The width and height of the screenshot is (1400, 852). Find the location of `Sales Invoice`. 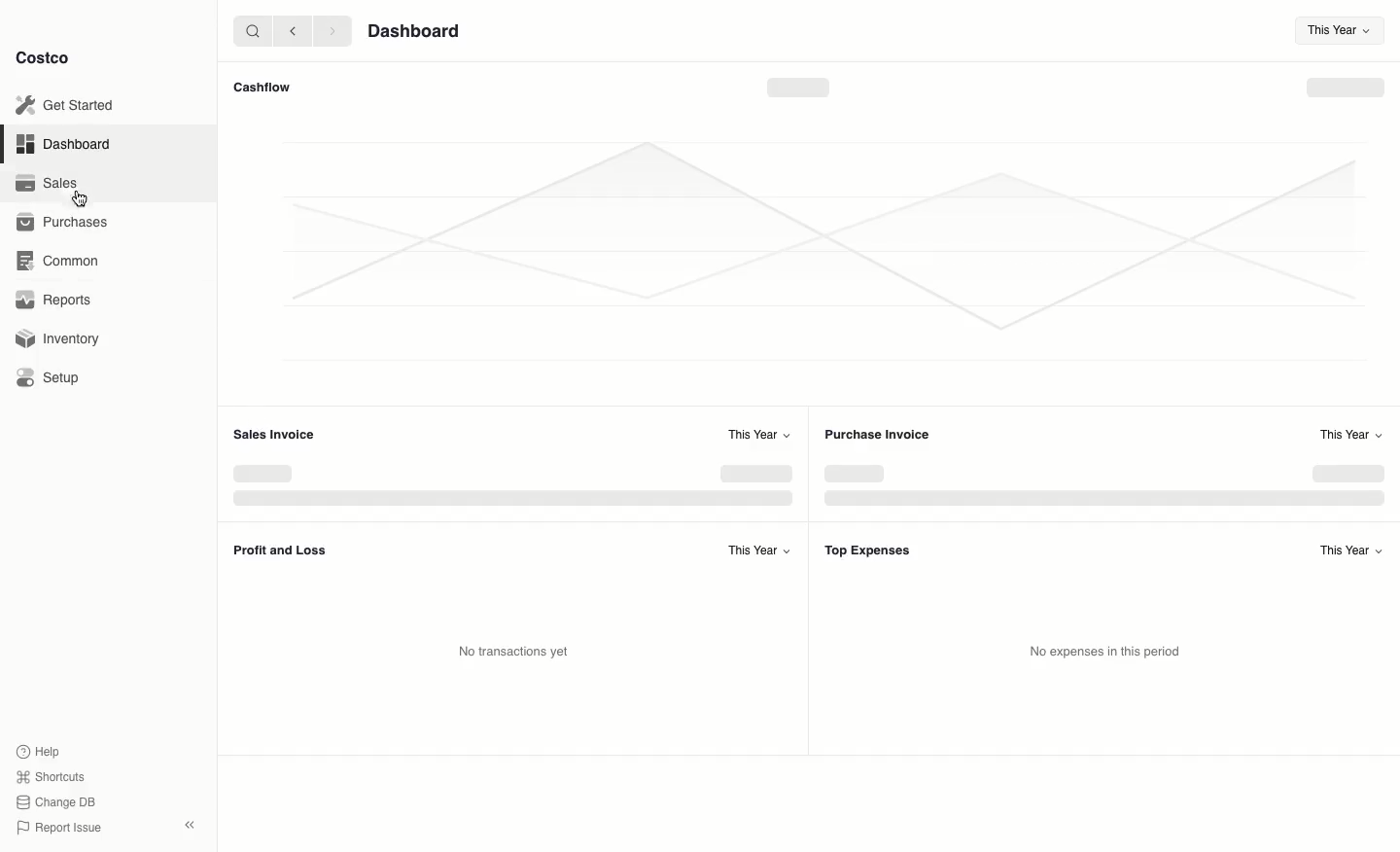

Sales Invoice is located at coordinates (279, 436).